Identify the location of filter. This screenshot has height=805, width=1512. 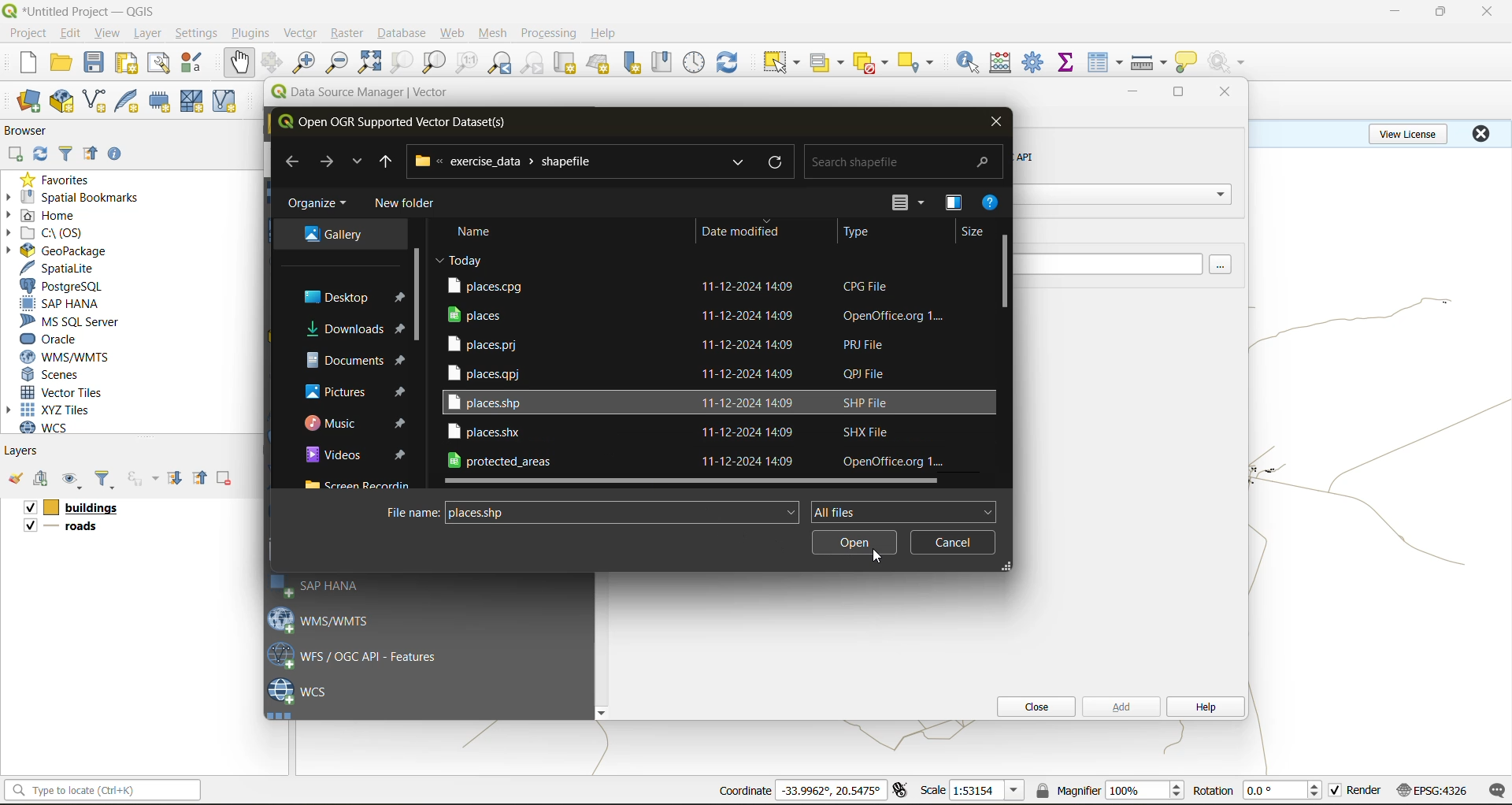
(105, 480).